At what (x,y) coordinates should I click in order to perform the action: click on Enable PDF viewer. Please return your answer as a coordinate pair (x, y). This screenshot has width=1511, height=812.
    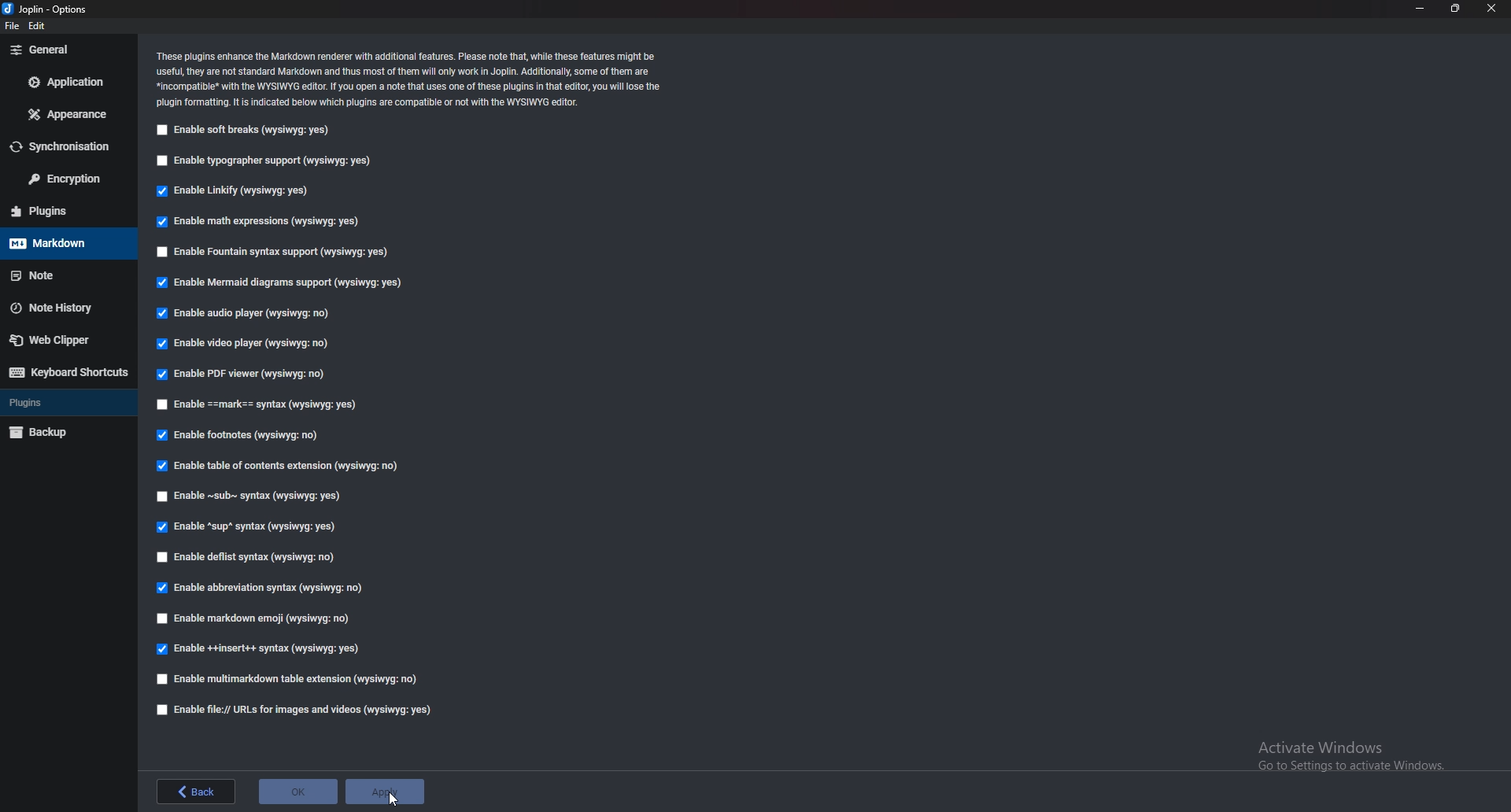
    Looking at the image, I should click on (250, 375).